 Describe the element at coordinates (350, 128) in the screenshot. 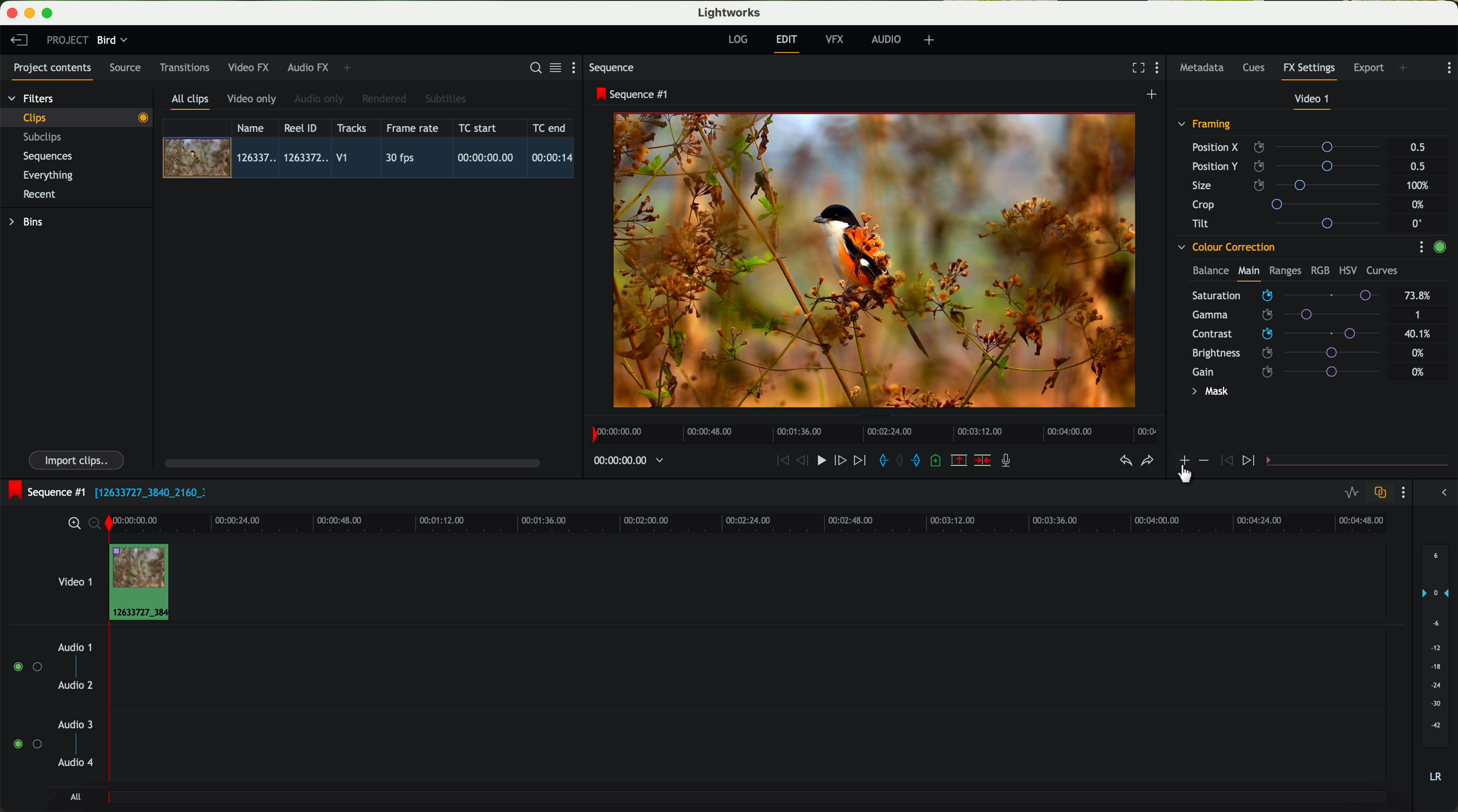

I see `tracks` at that location.